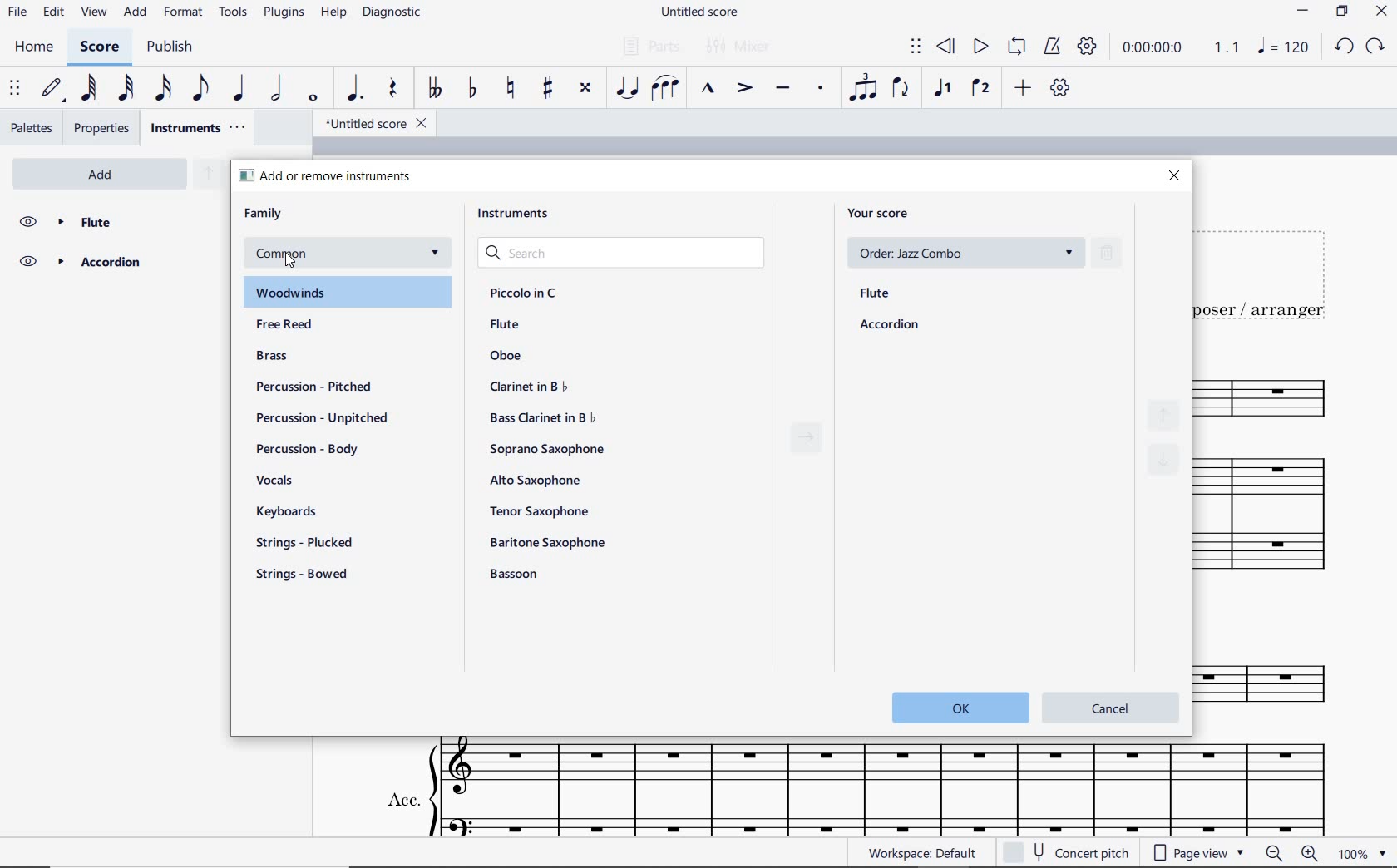 This screenshot has width=1397, height=868. Describe the element at coordinates (52, 12) in the screenshot. I see `EDIT` at that location.